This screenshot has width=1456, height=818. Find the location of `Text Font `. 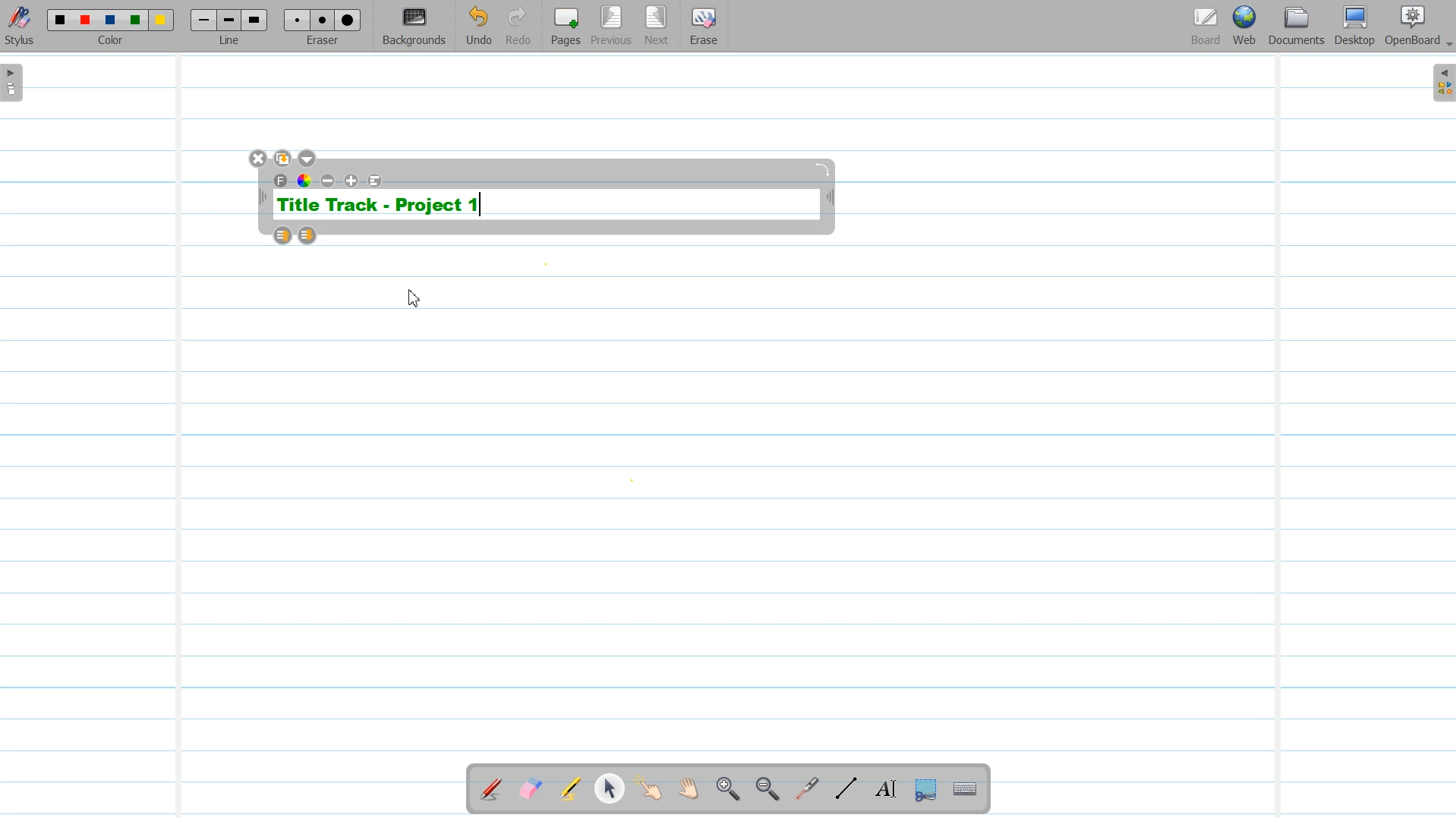

Text Font  is located at coordinates (282, 181).